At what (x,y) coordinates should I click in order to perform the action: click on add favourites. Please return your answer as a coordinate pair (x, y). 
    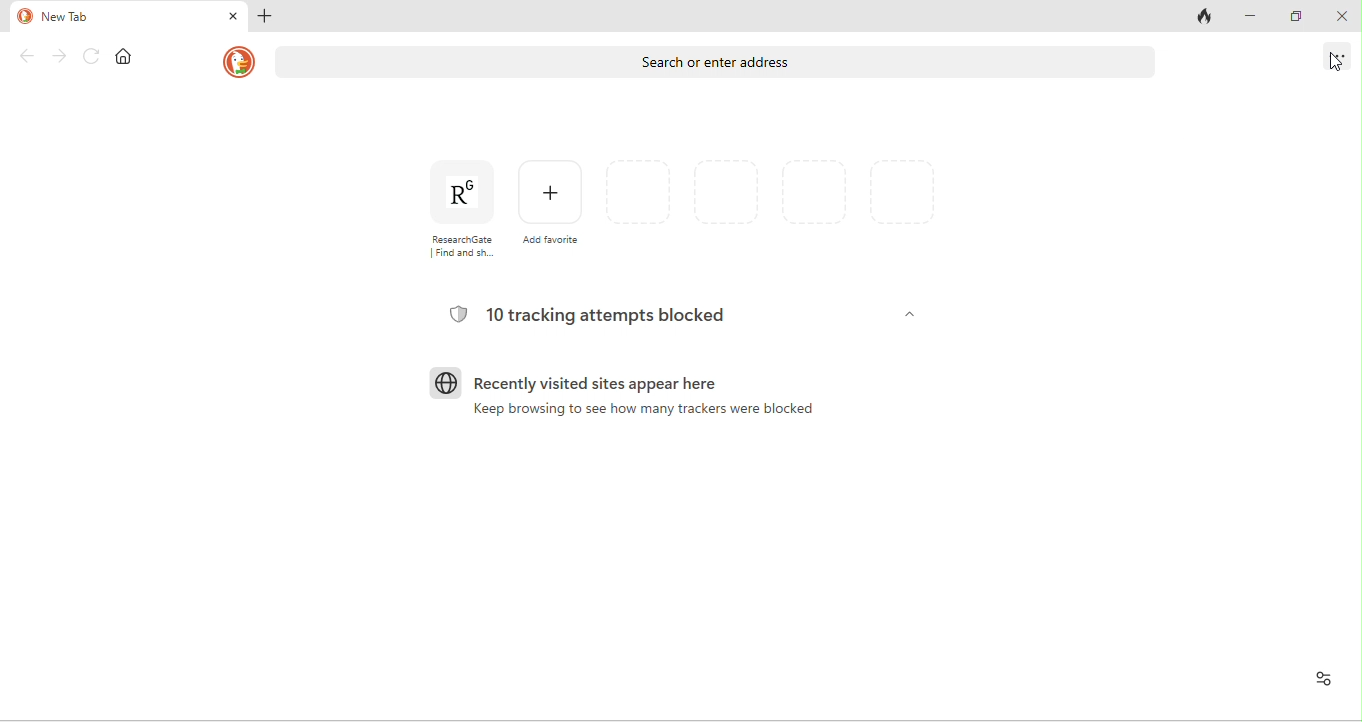
    Looking at the image, I should click on (550, 215).